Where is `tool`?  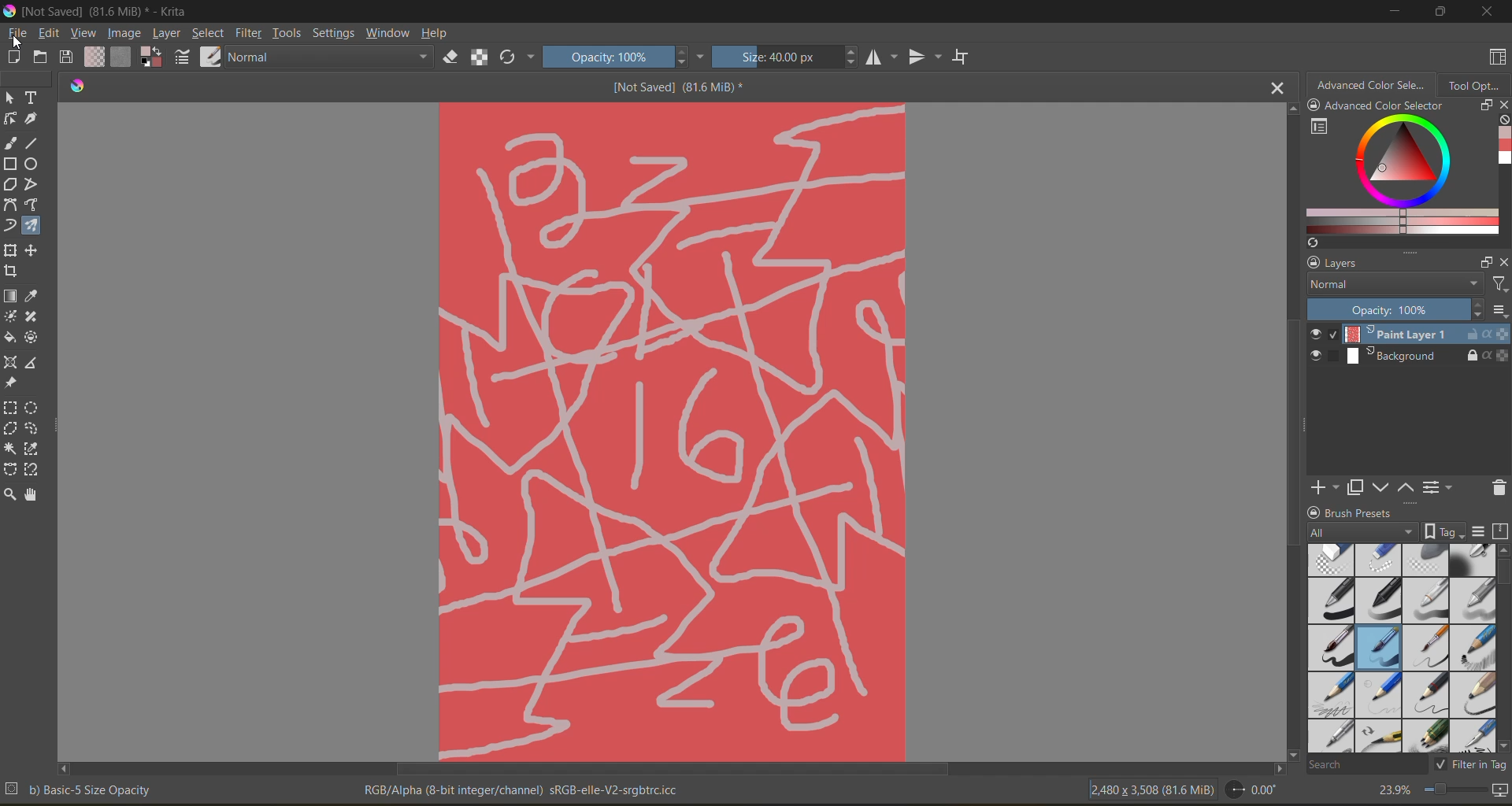
tool is located at coordinates (31, 226).